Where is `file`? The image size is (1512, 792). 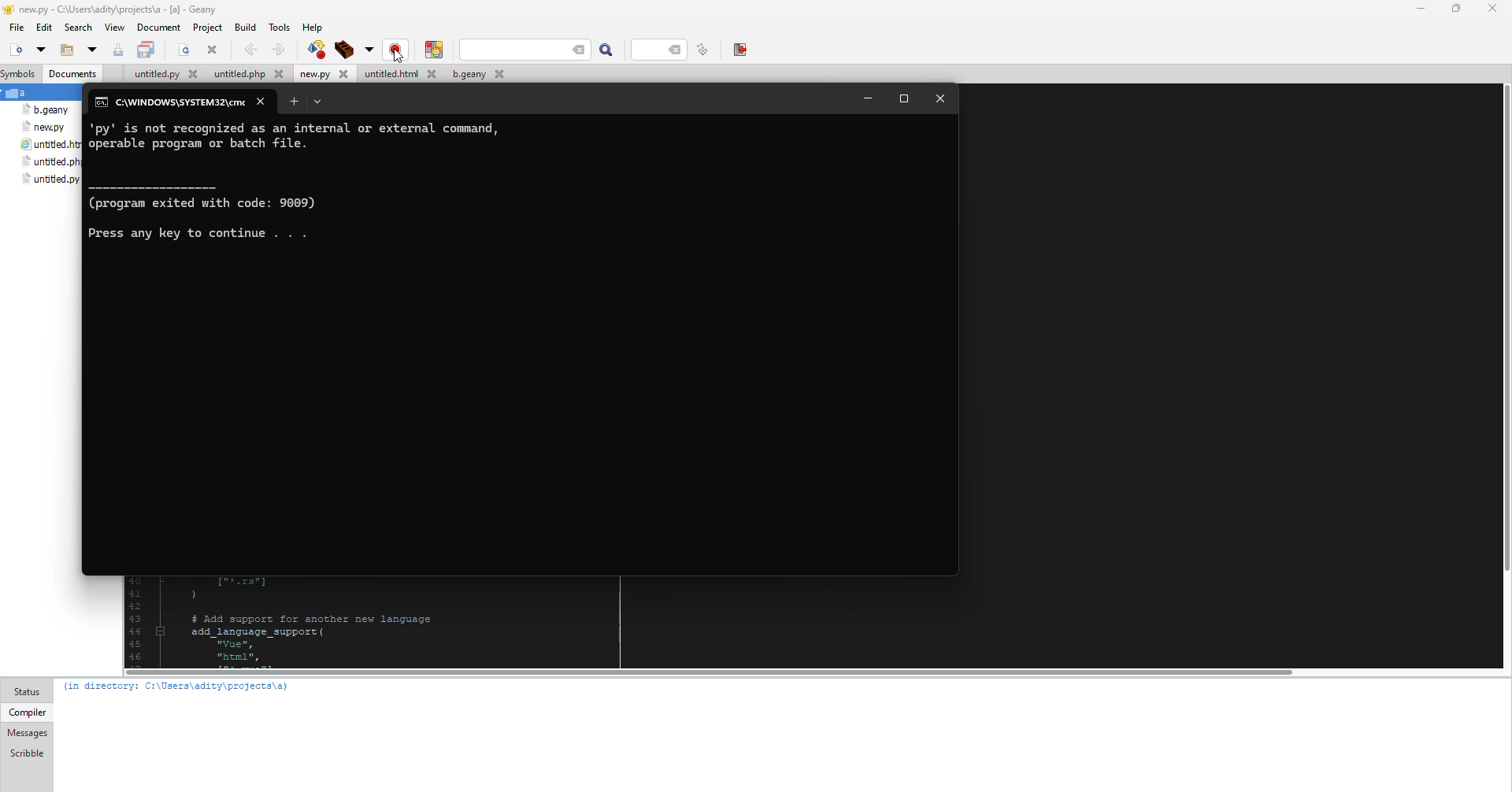 file is located at coordinates (398, 74).